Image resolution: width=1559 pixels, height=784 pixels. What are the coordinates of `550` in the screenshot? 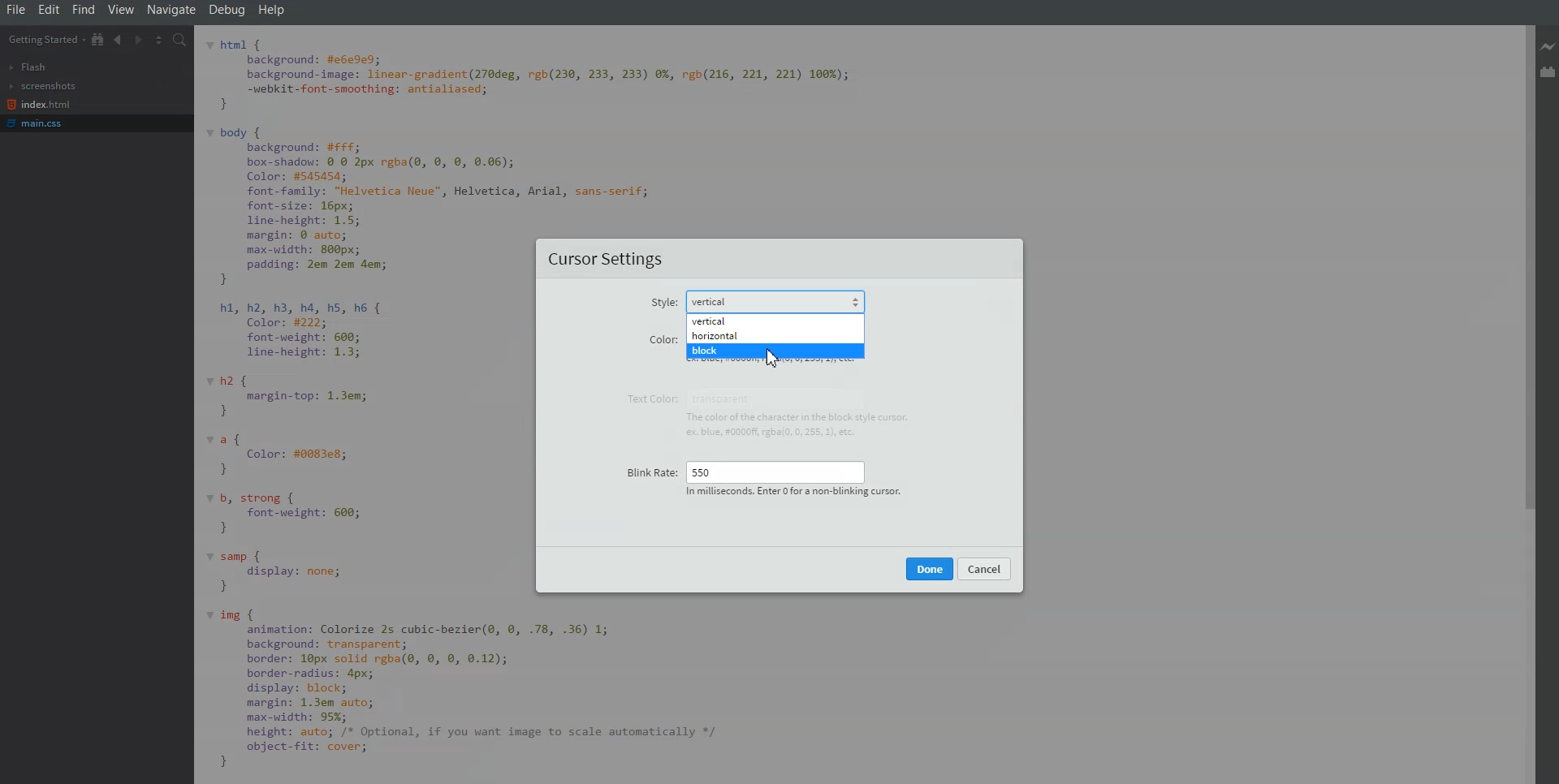 It's located at (775, 470).